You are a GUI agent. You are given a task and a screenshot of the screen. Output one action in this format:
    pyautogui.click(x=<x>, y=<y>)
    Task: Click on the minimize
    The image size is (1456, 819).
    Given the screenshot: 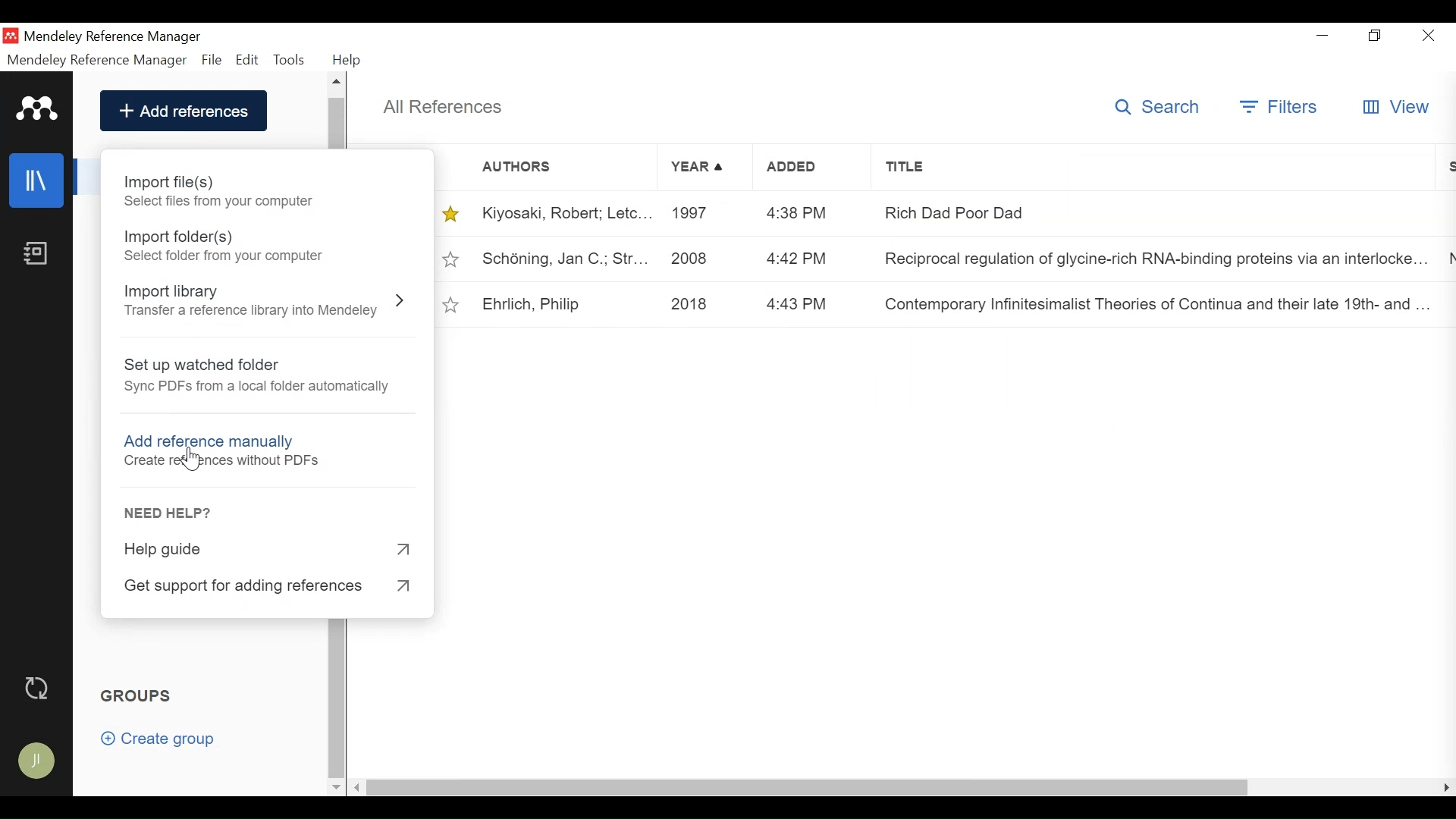 What is the action you would take?
    pyautogui.click(x=1323, y=37)
    